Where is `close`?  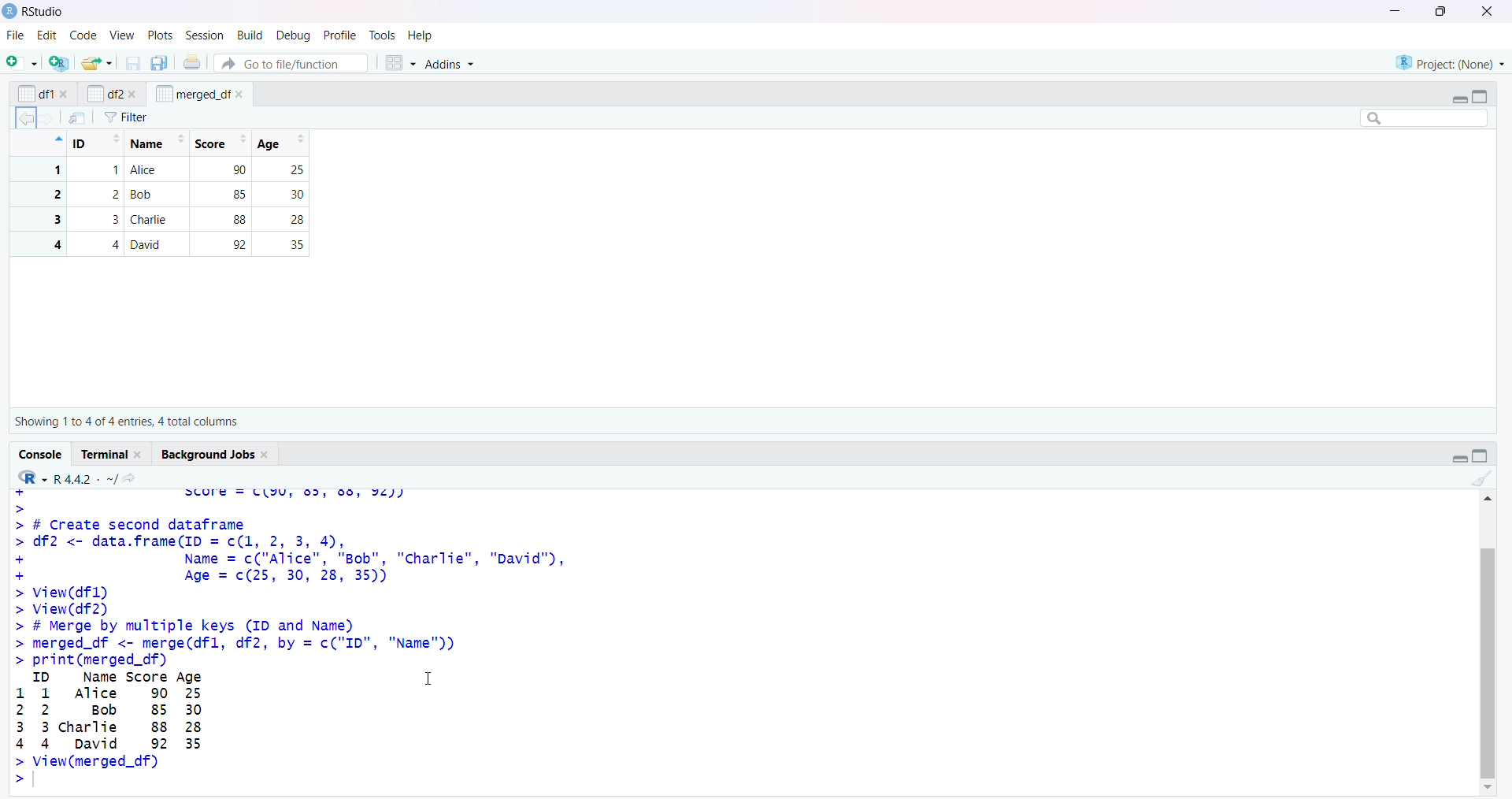 close is located at coordinates (1488, 11).